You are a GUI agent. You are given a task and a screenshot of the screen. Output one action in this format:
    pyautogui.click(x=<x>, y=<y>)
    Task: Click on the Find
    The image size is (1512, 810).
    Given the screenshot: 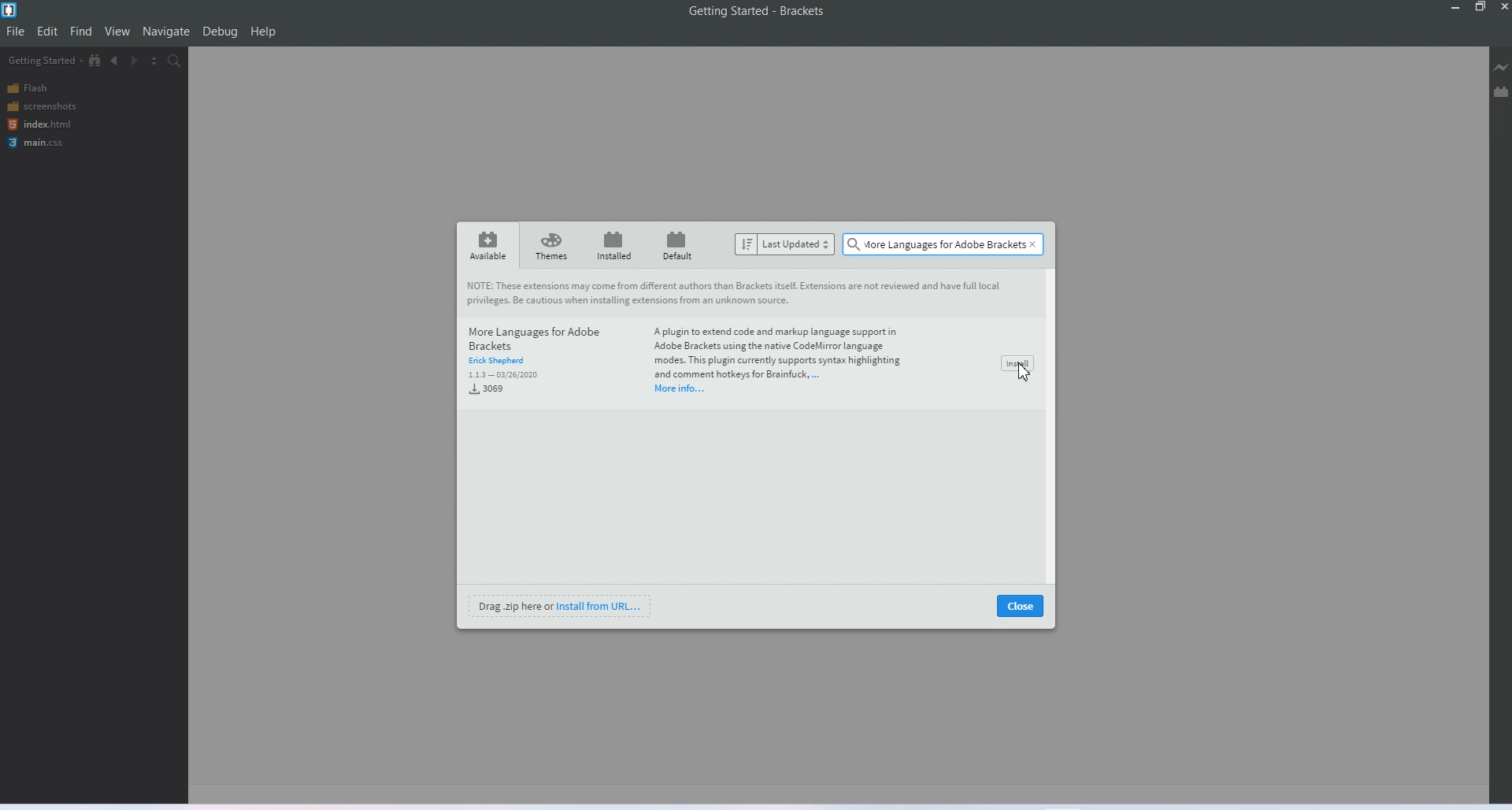 What is the action you would take?
    pyautogui.click(x=81, y=32)
    